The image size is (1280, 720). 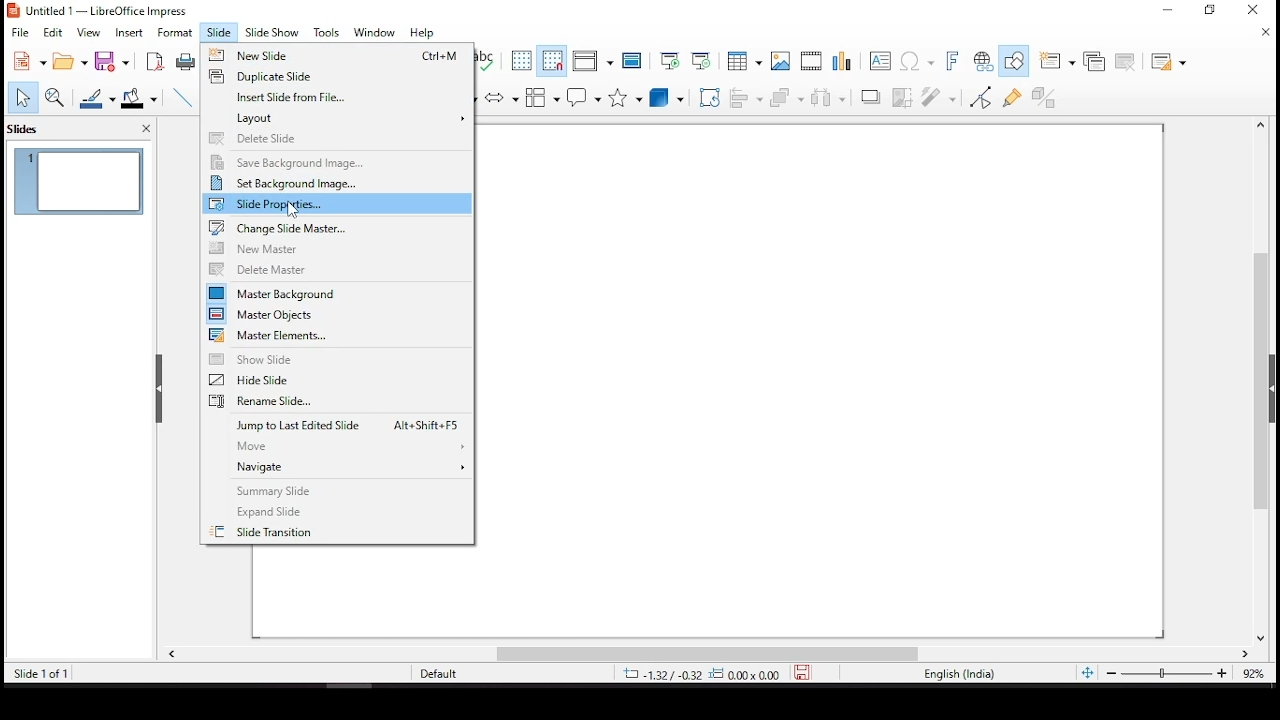 What do you see at coordinates (951, 57) in the screenshot?
I see `insert font work text` at bounding box center [951, 57].